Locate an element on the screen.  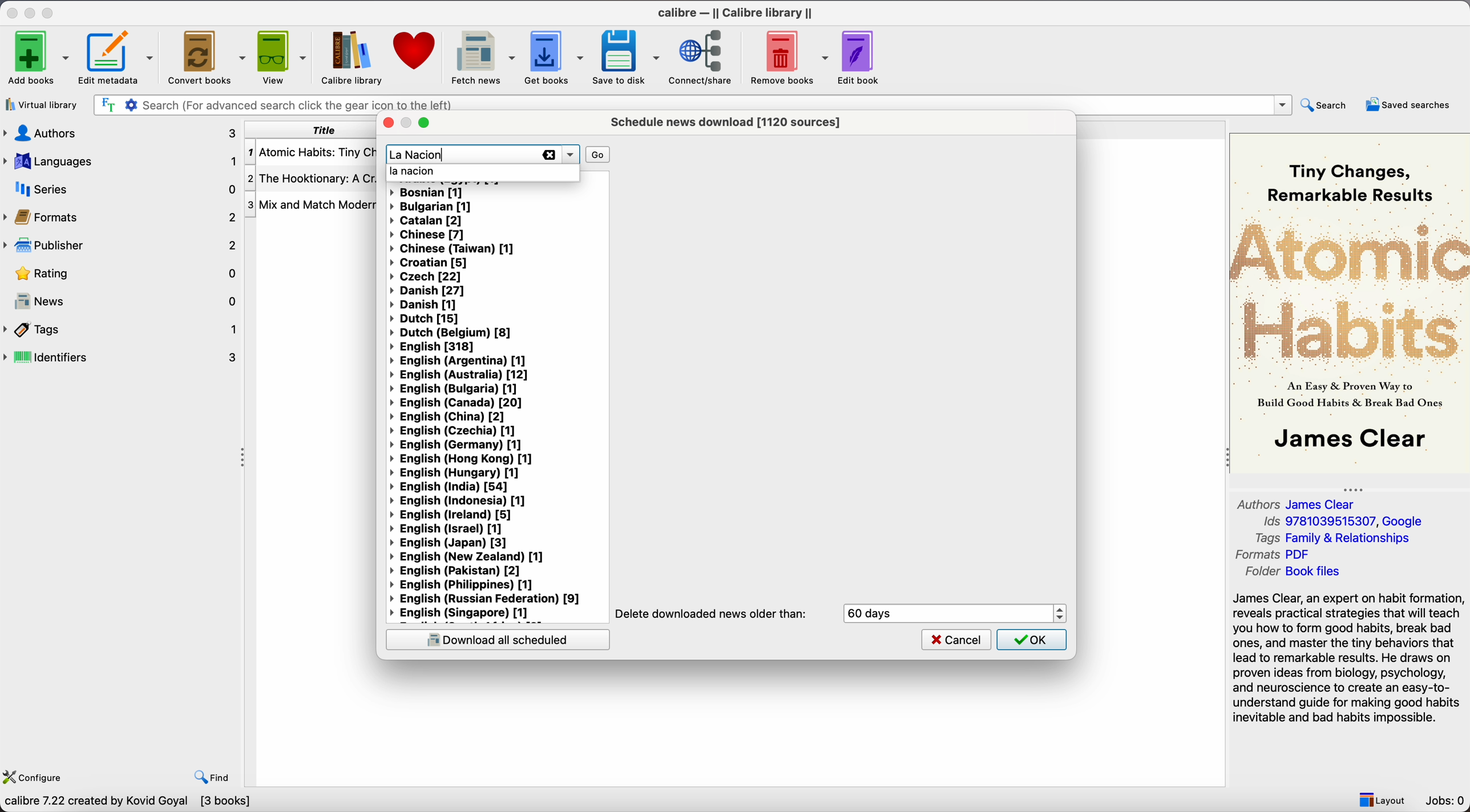
go is located at coordinates (597, 153).